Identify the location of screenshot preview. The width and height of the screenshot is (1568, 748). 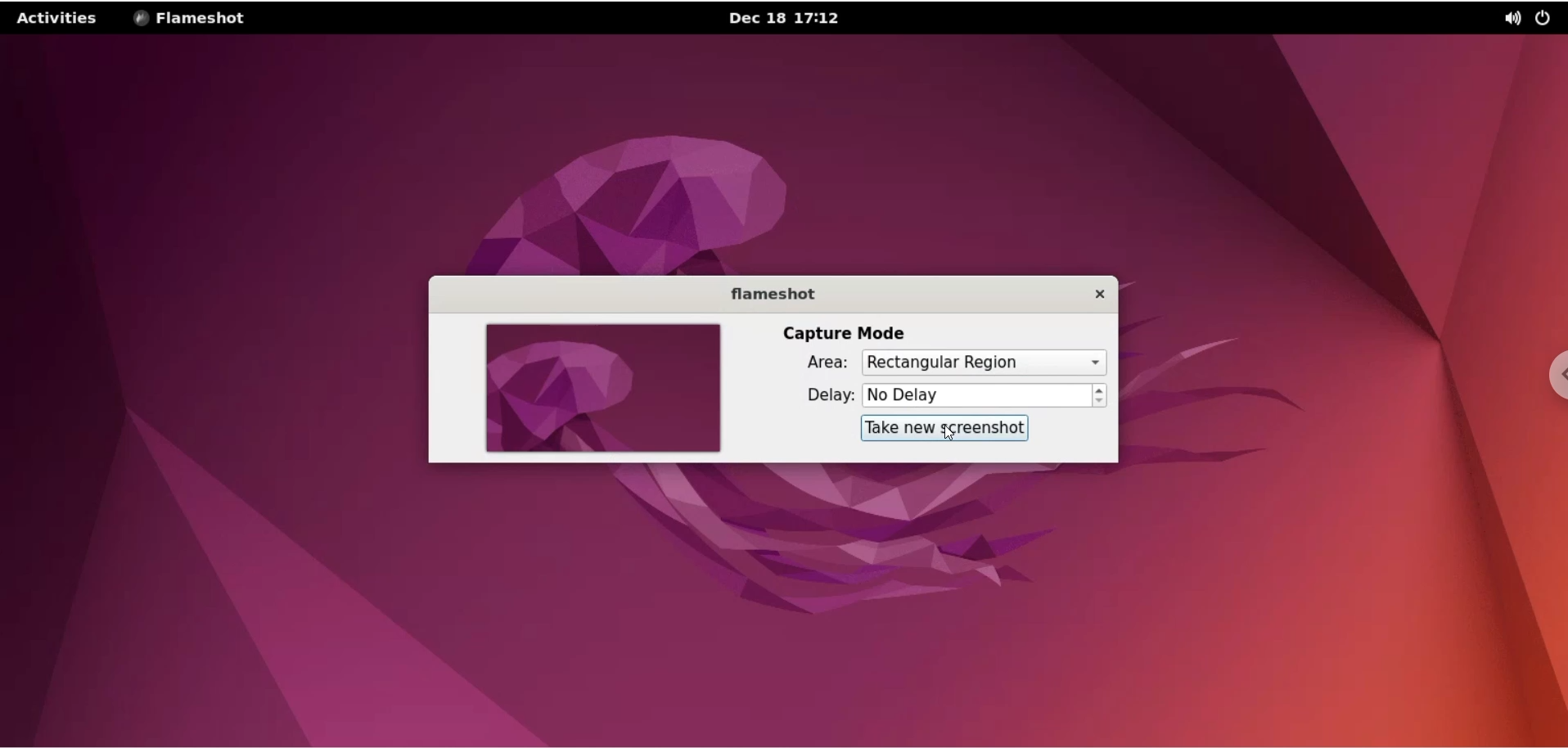
(602, 388).